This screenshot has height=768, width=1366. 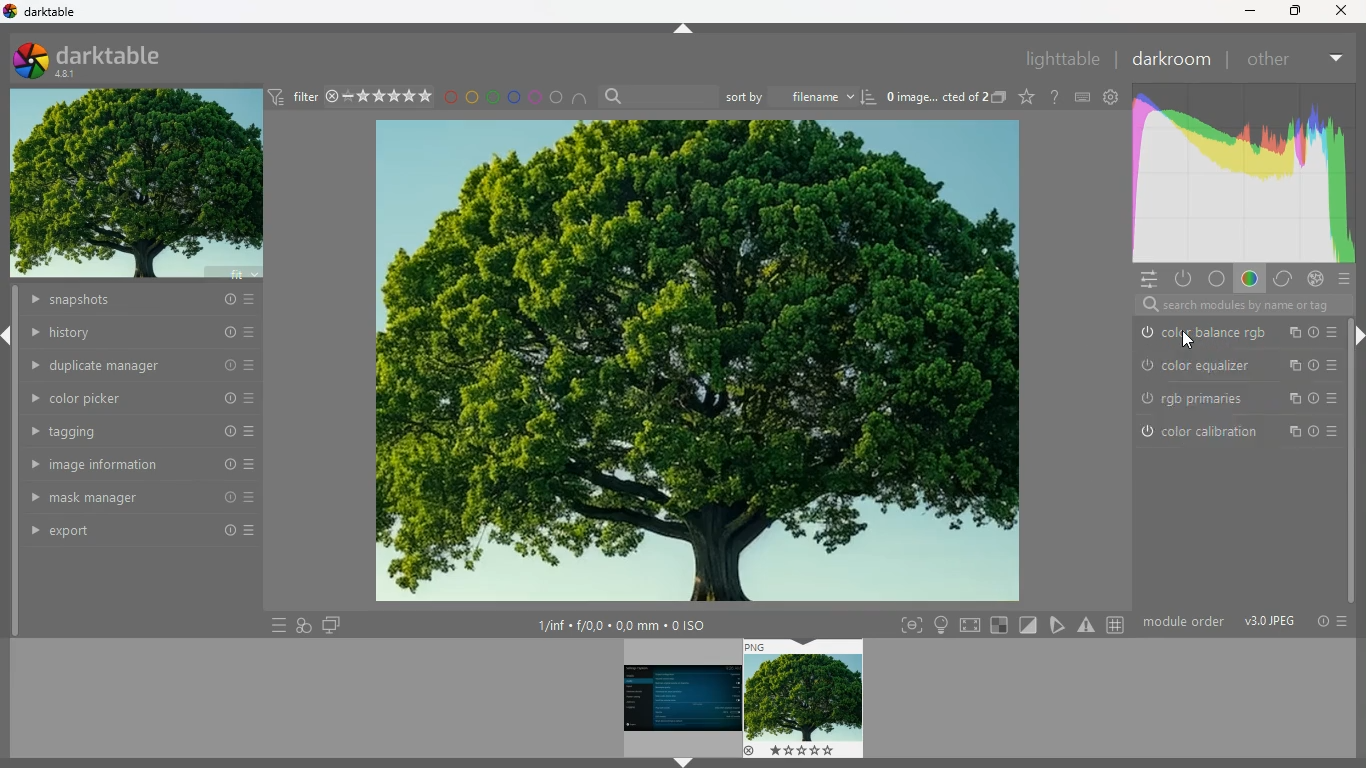 I want to click on semi circle, so click(x=585, y=101).